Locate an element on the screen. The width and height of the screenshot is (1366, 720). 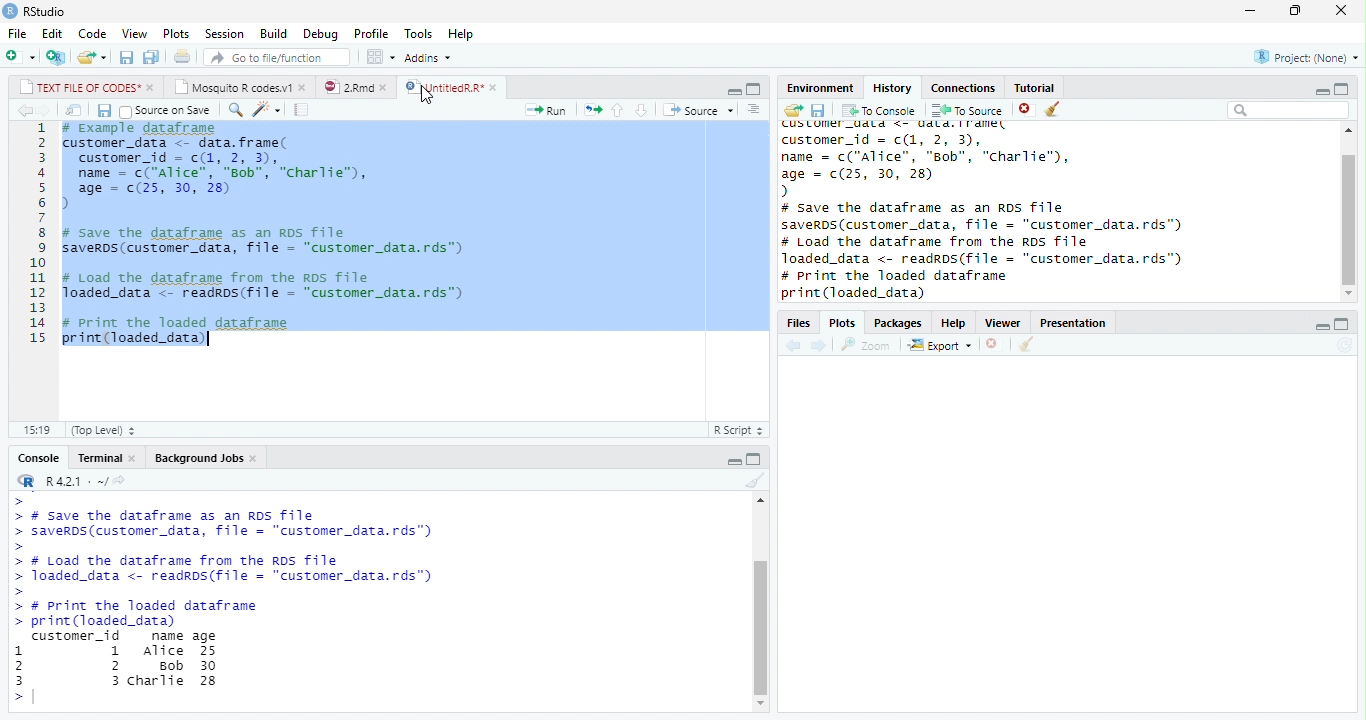
Alice  Bob  Charlie is located at coordinates (157, 667).